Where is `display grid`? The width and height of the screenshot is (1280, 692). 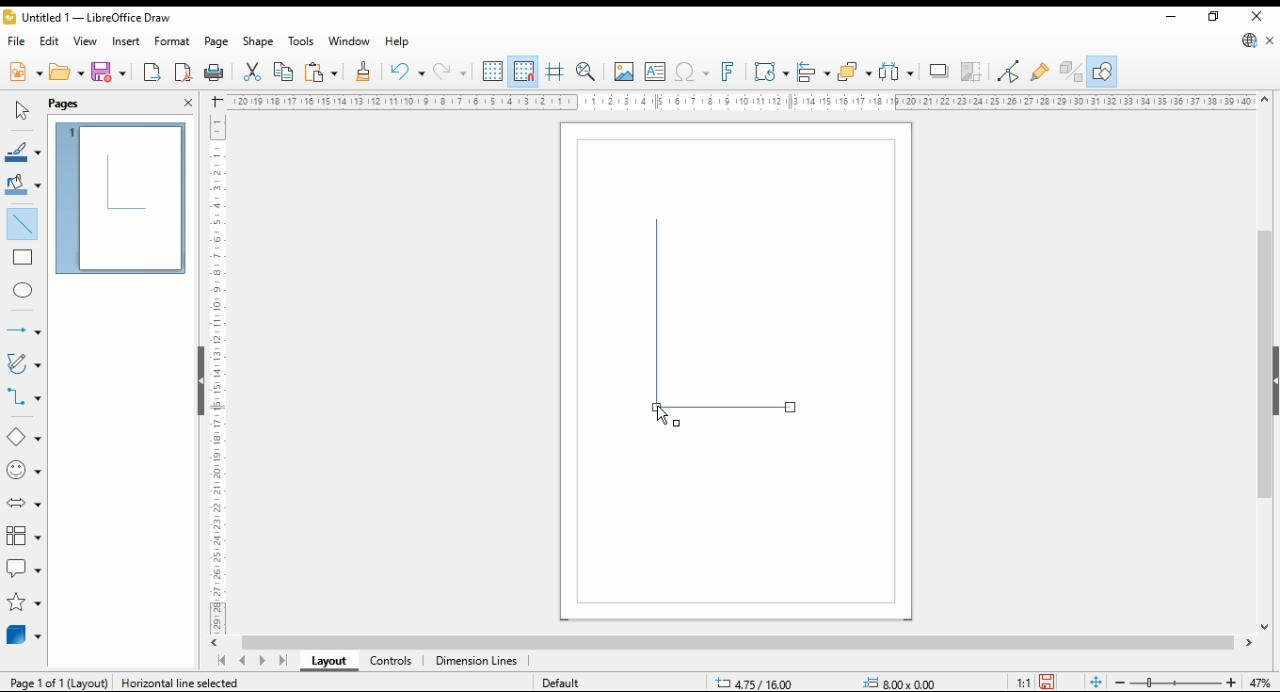
display grid is located at coordinates (493, 70).